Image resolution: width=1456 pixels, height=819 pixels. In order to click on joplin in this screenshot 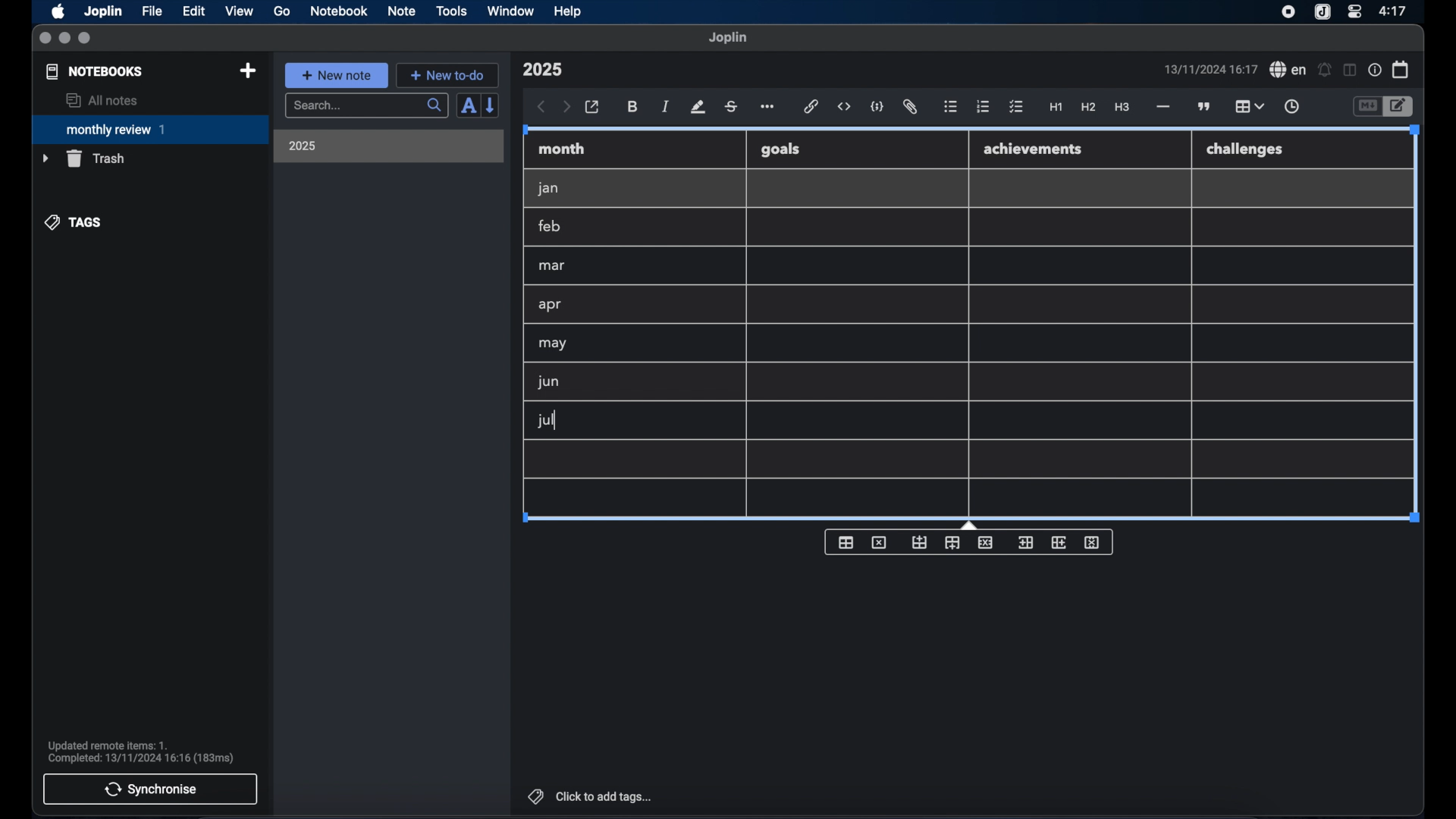, I will do `click(728, 37)`.